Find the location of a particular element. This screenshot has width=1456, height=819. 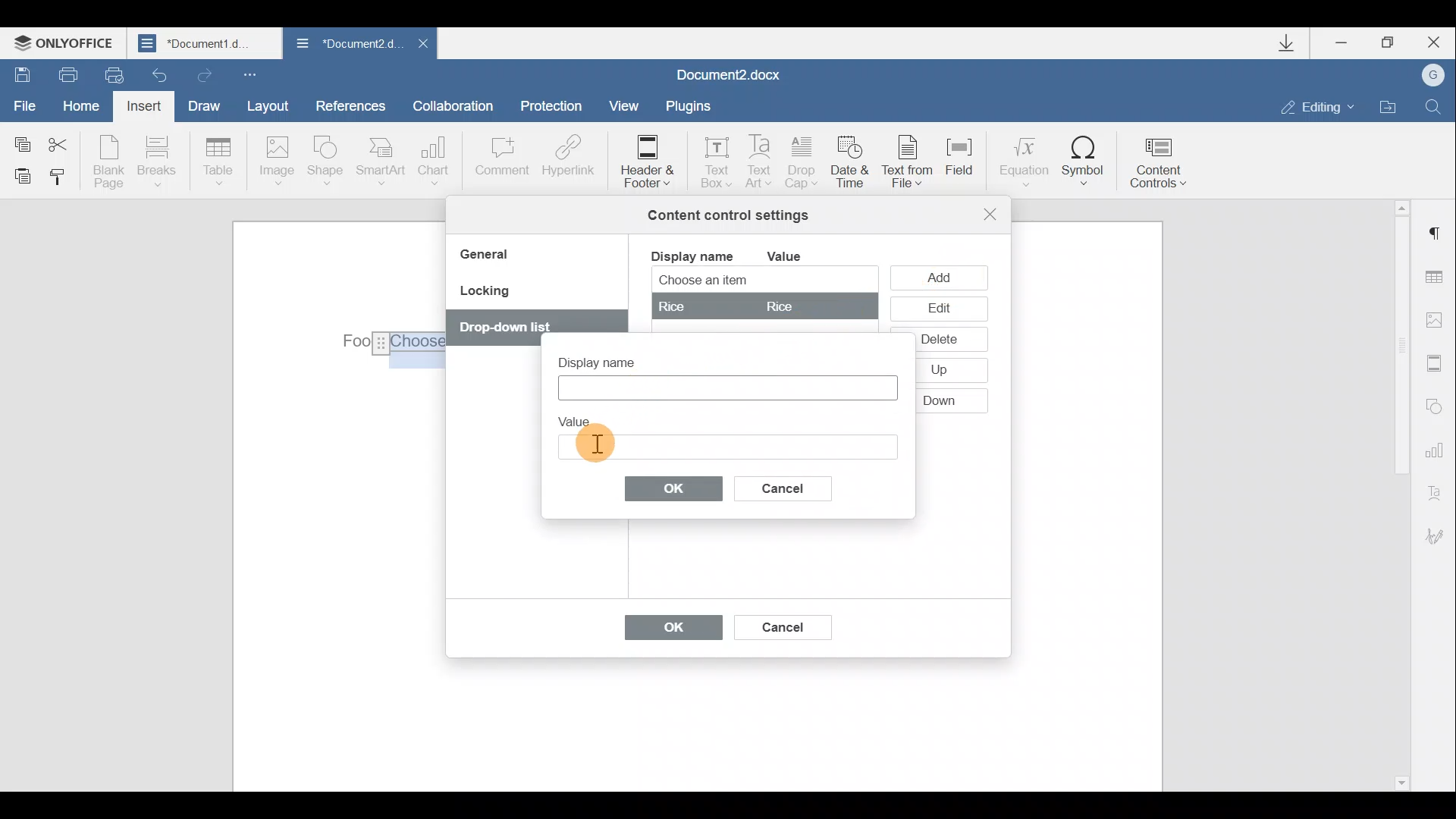

SmartArt is located at coordinates (381, 160).